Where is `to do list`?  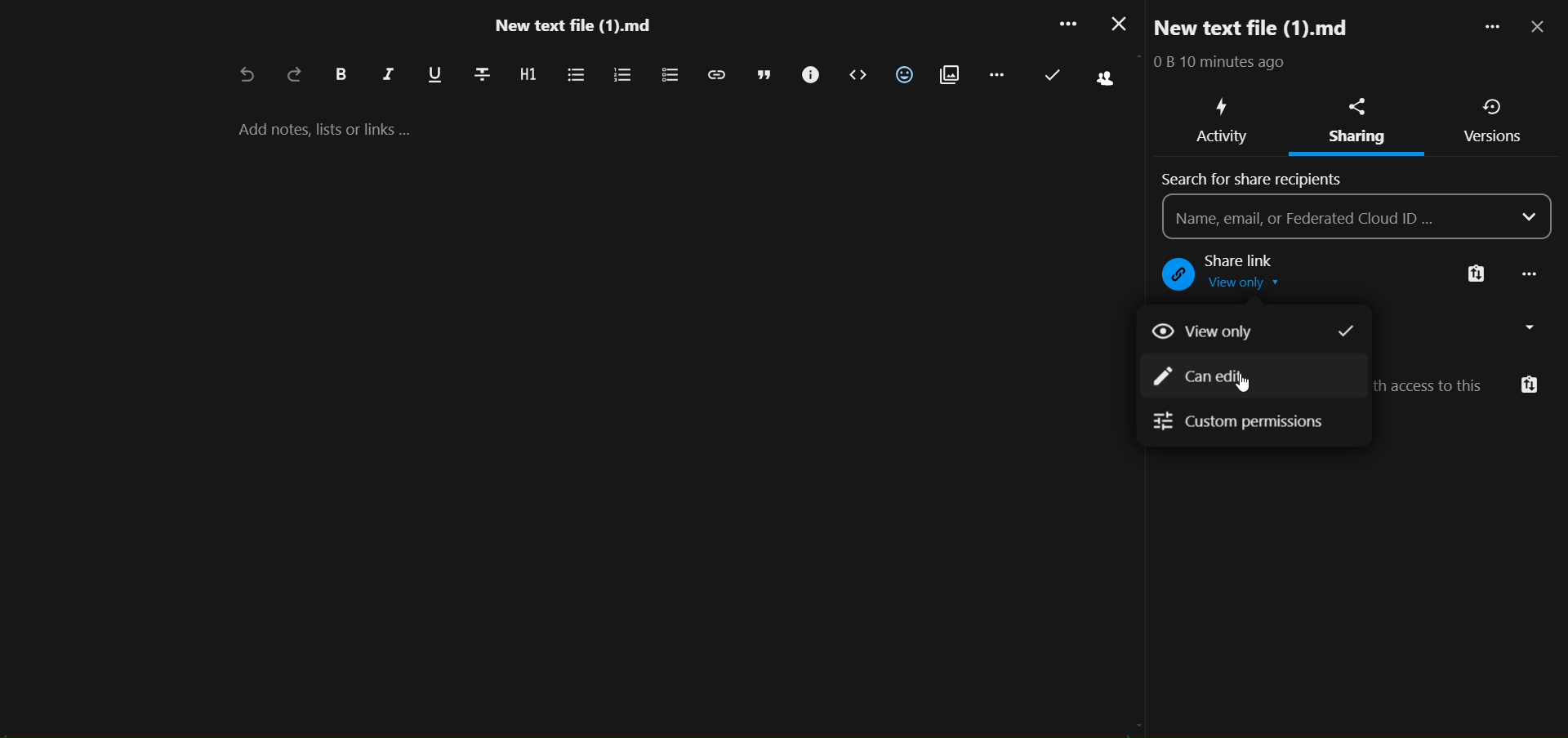 to do list is located at coordinates (668, 76).